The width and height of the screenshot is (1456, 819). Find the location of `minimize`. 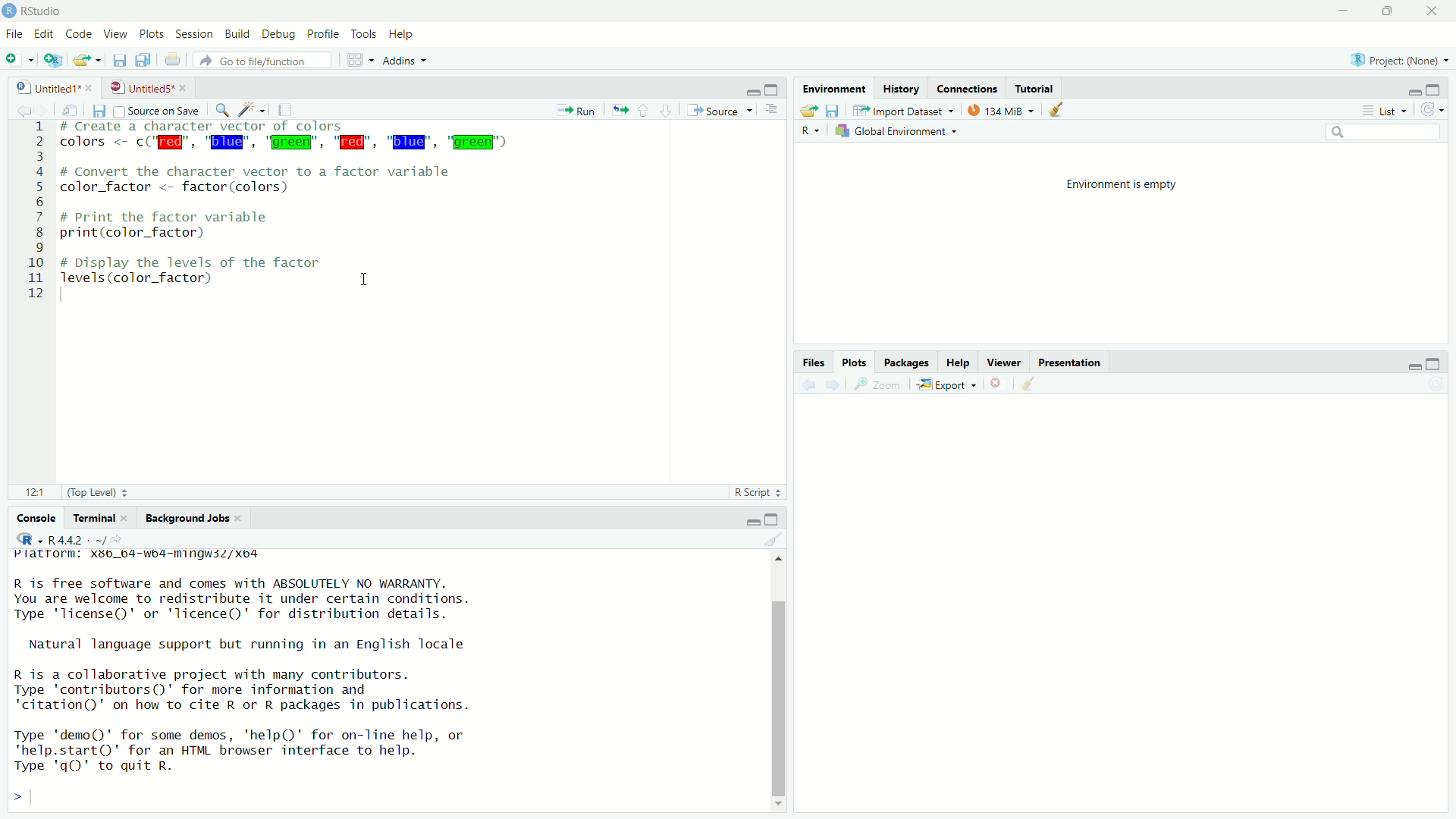

minimize is located at coordinates (1407, 364).